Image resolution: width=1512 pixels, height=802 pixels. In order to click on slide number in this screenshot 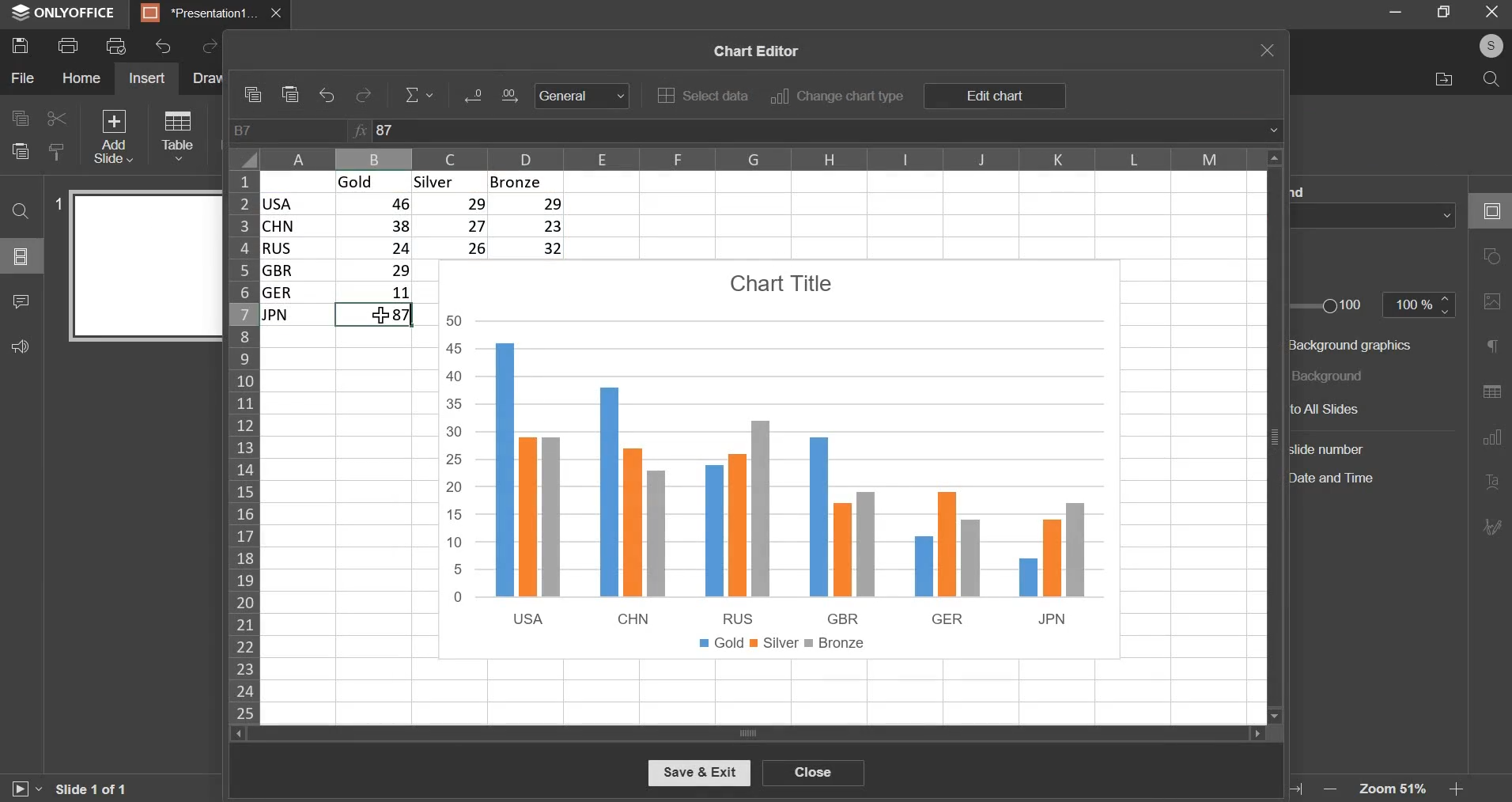, I will do `click(1331, 448)`.